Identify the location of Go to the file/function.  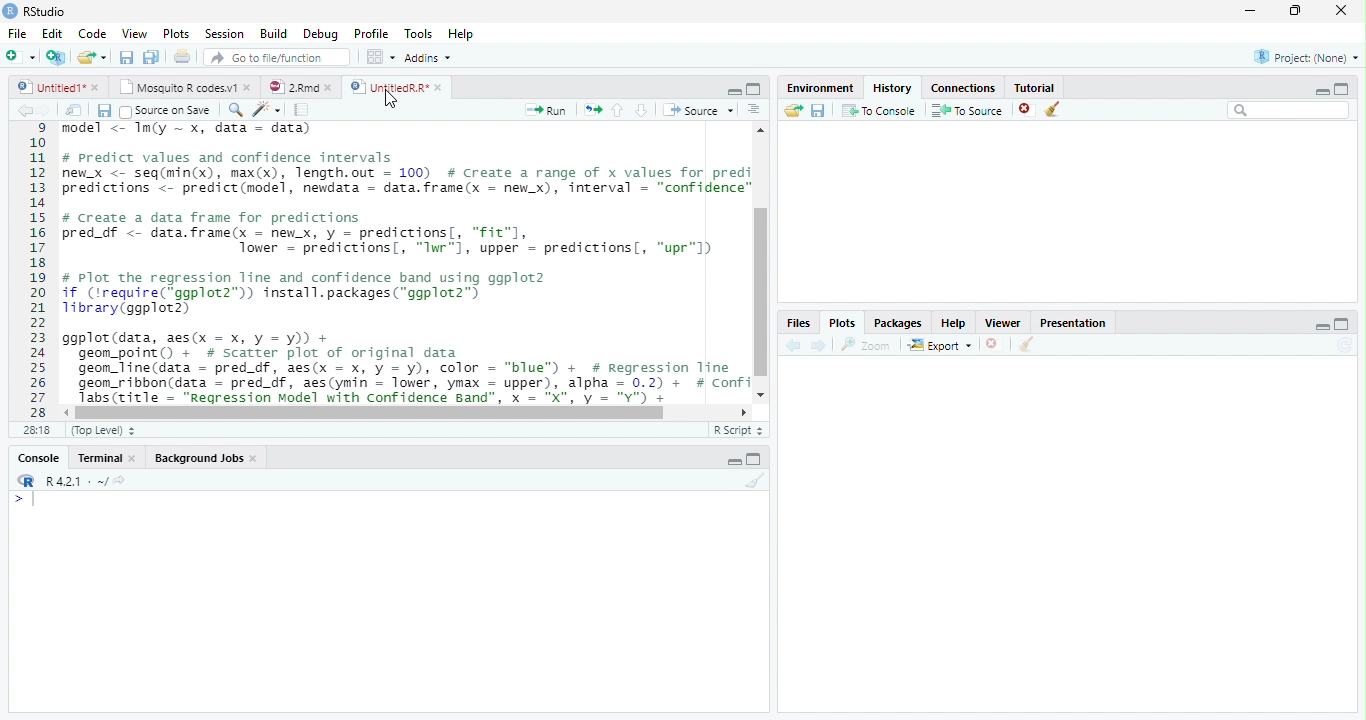
(278, 58).